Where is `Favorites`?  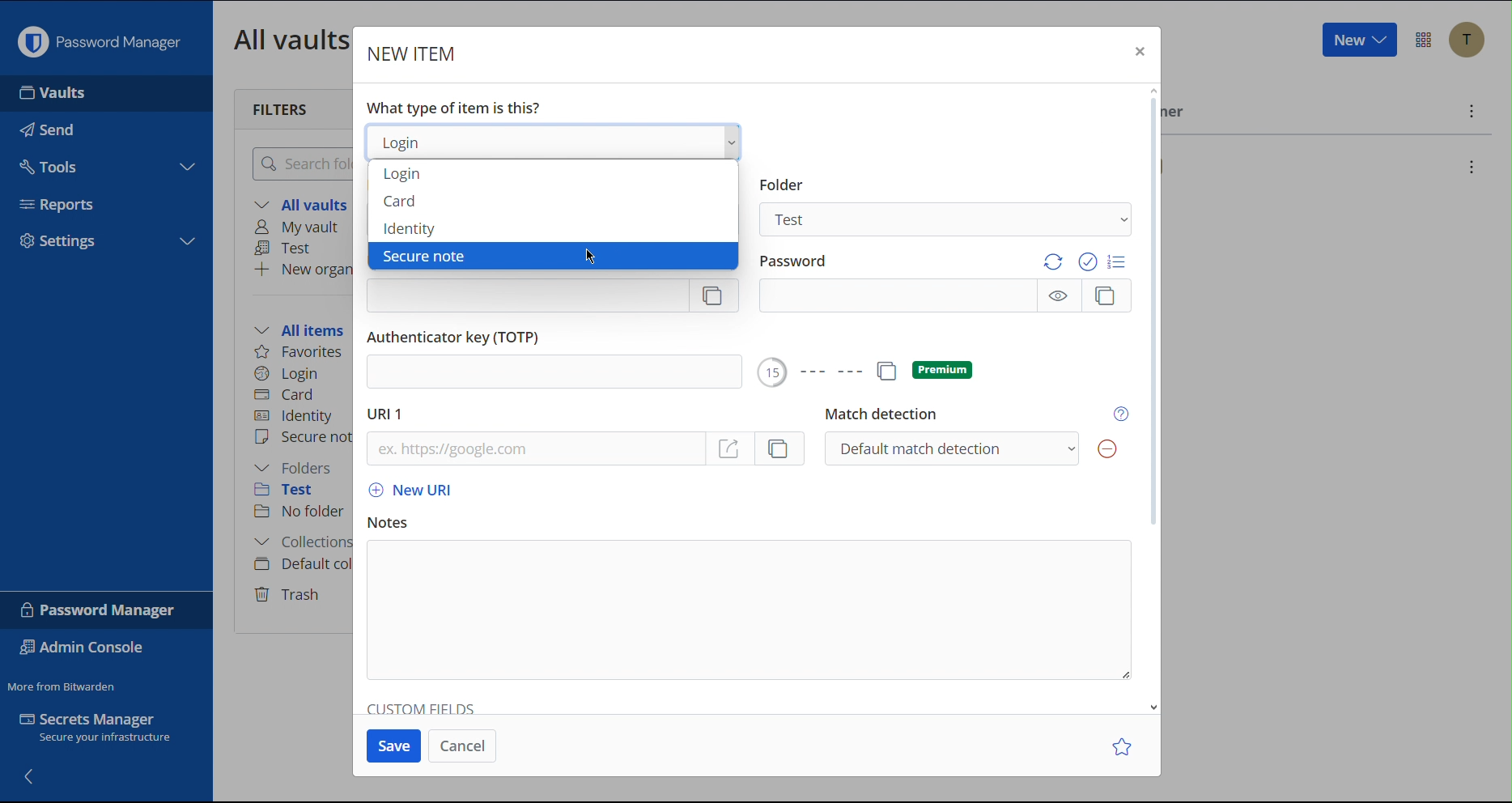 Favorites is located at coordinates (300, 352).